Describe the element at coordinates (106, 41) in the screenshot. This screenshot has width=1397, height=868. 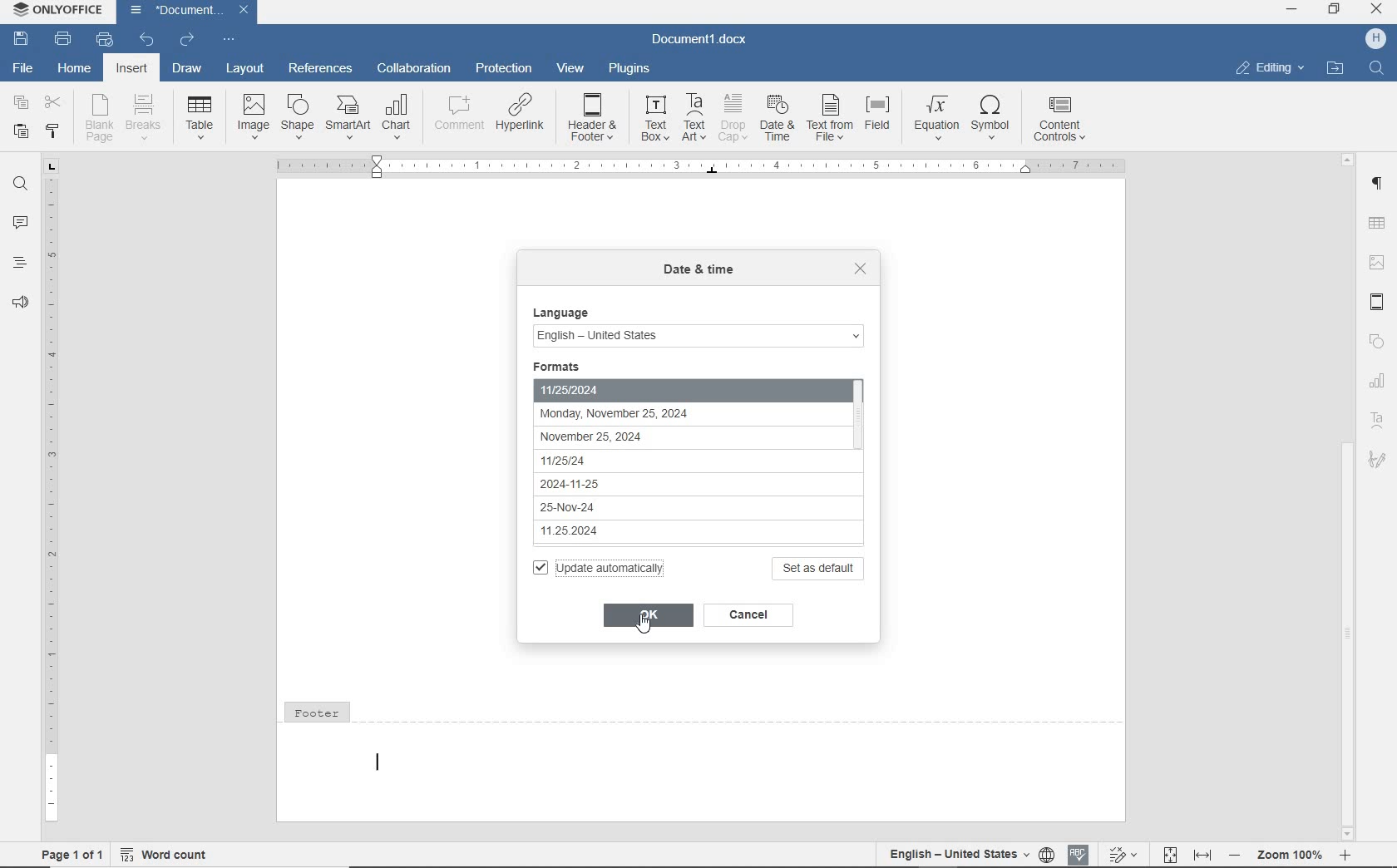
I see `quick print` at that location.